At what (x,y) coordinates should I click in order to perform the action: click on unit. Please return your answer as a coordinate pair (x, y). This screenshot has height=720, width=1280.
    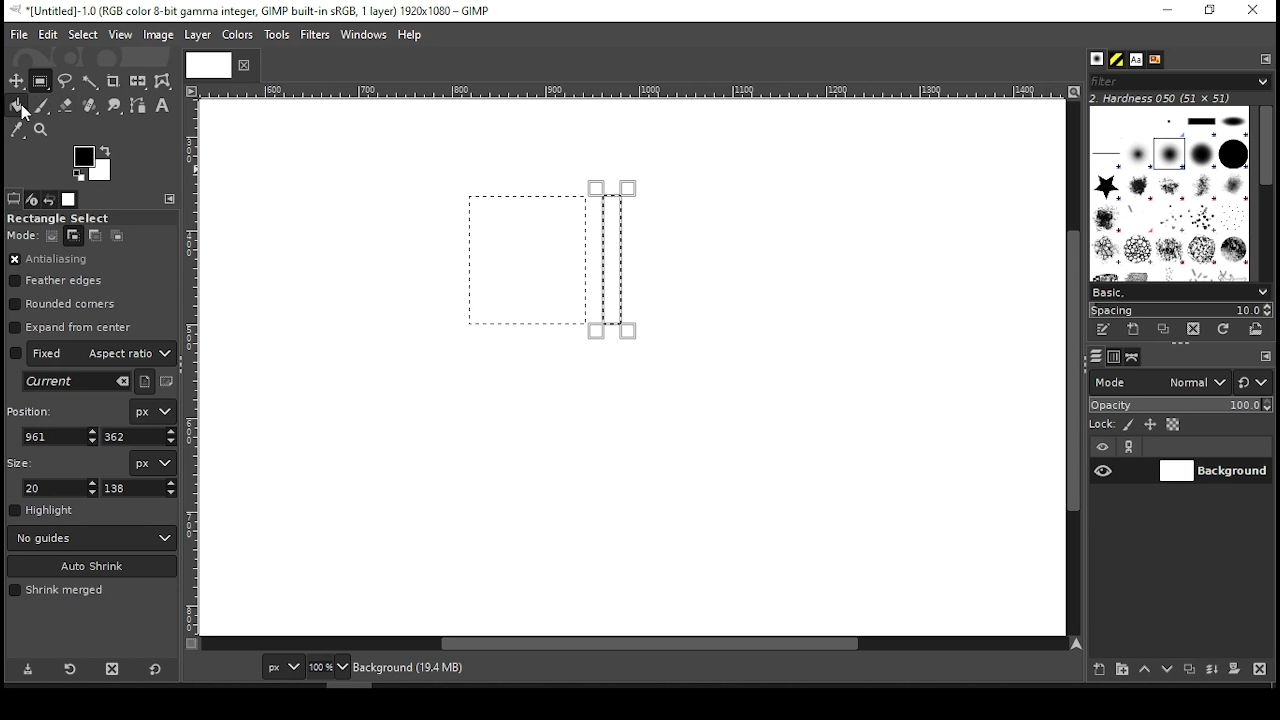
    Looking at the image, I should click on (154, 412).